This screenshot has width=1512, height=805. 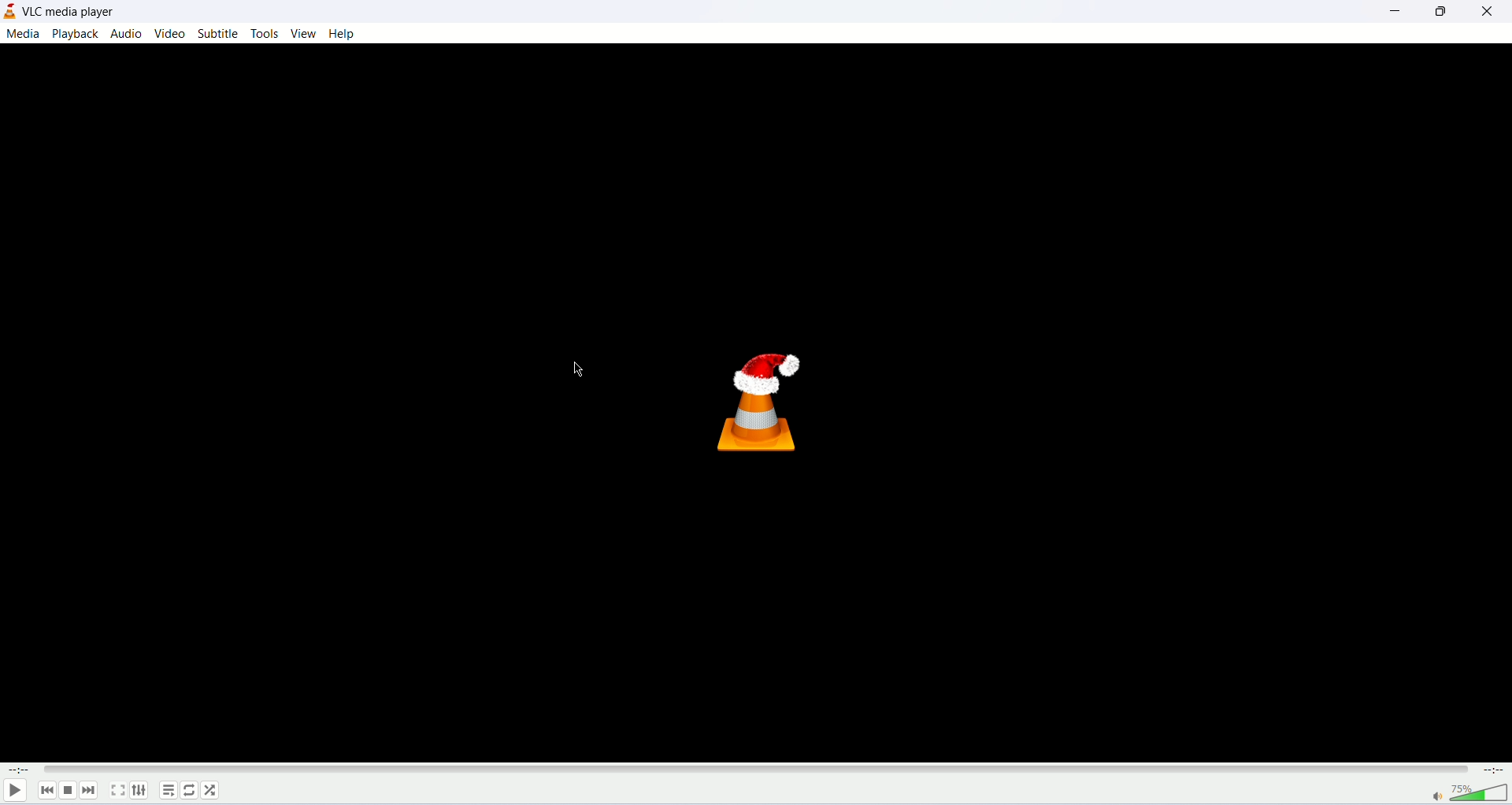 What do you see at coordinates (218, 34) in the screenshot?
I see `subtitle` at bounding box center [218, 34].